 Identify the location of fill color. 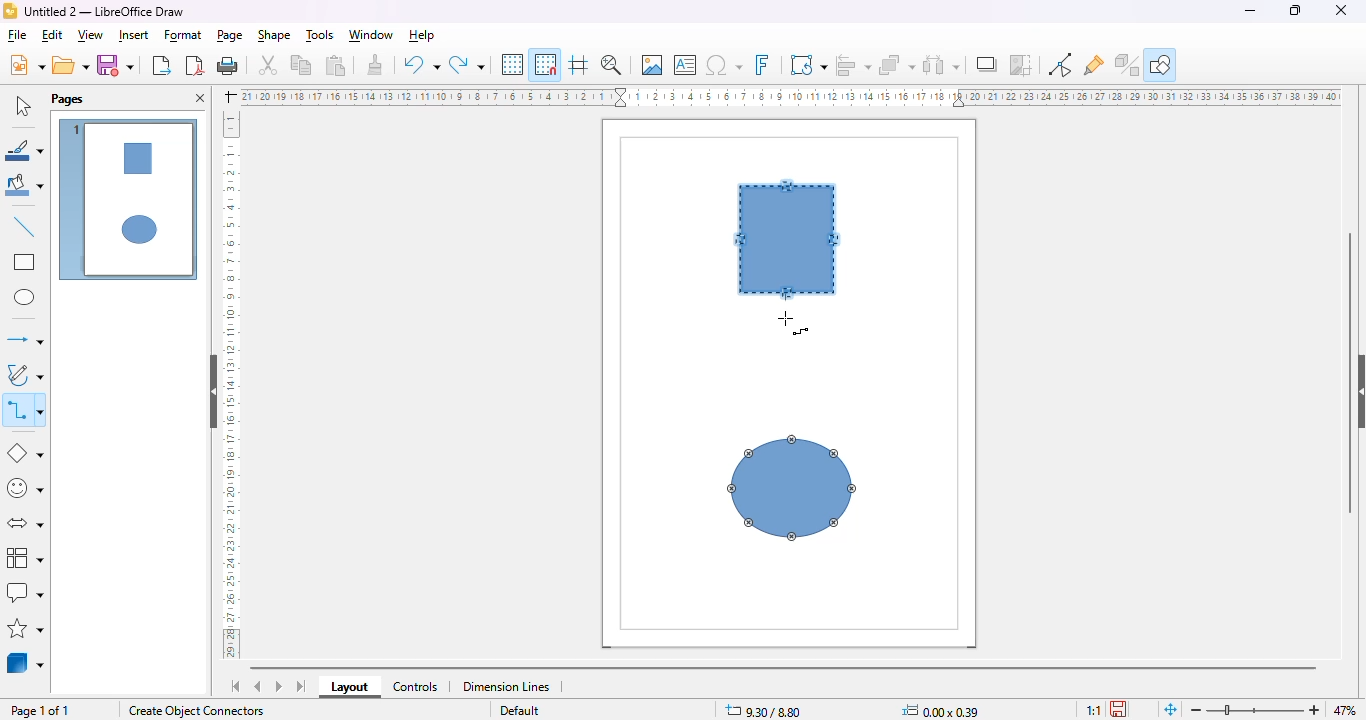
(25, 187).